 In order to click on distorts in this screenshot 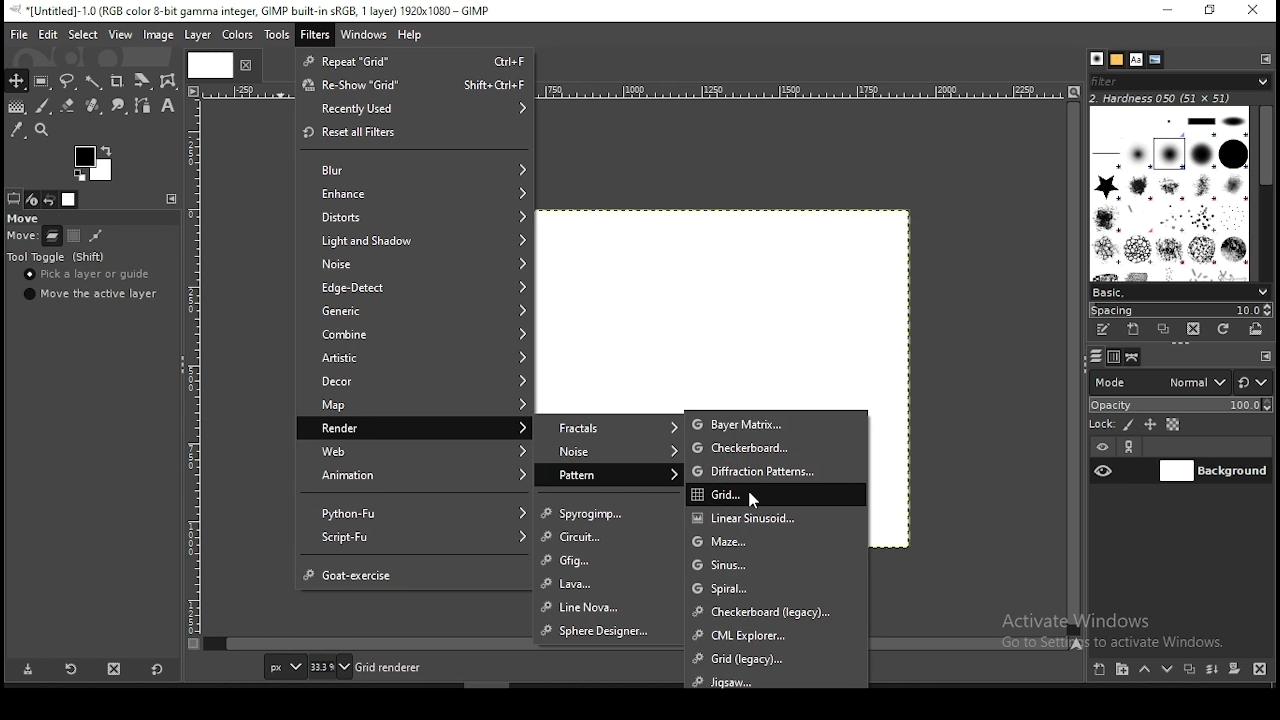, I will do `click(415, 215)`.